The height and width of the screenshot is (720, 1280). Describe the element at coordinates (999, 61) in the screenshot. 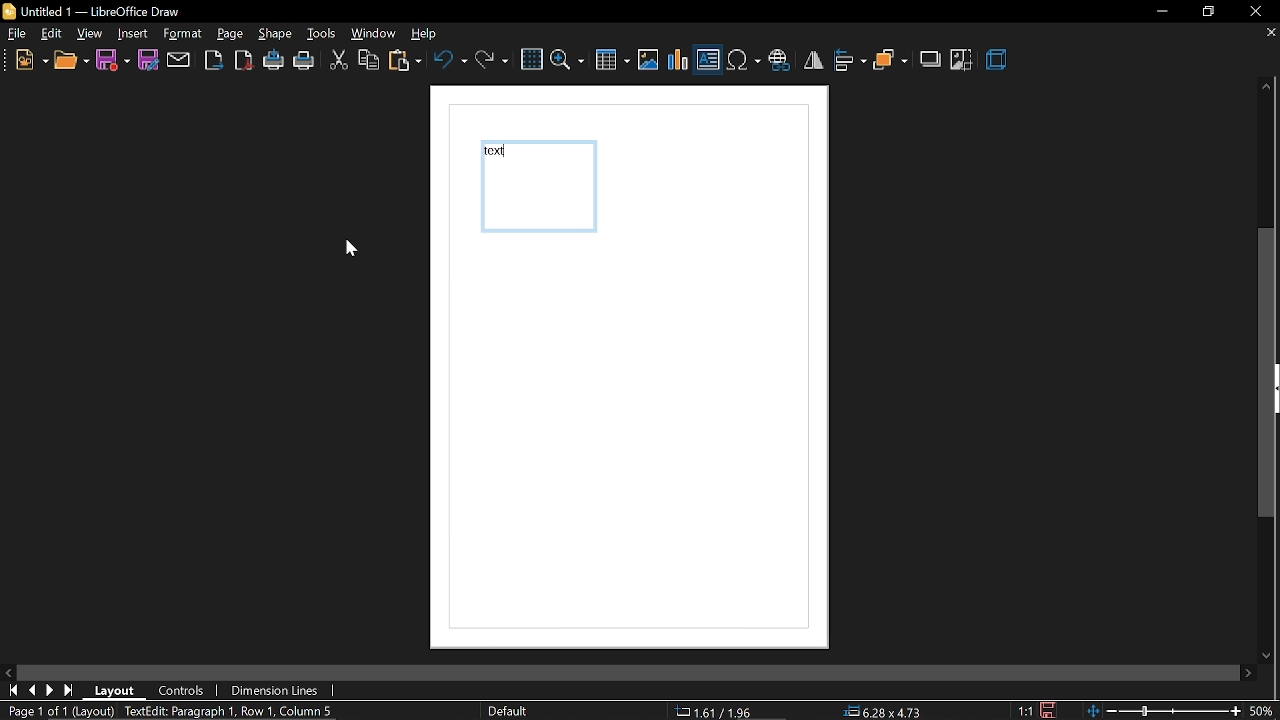

I see `3d effect` at that location.